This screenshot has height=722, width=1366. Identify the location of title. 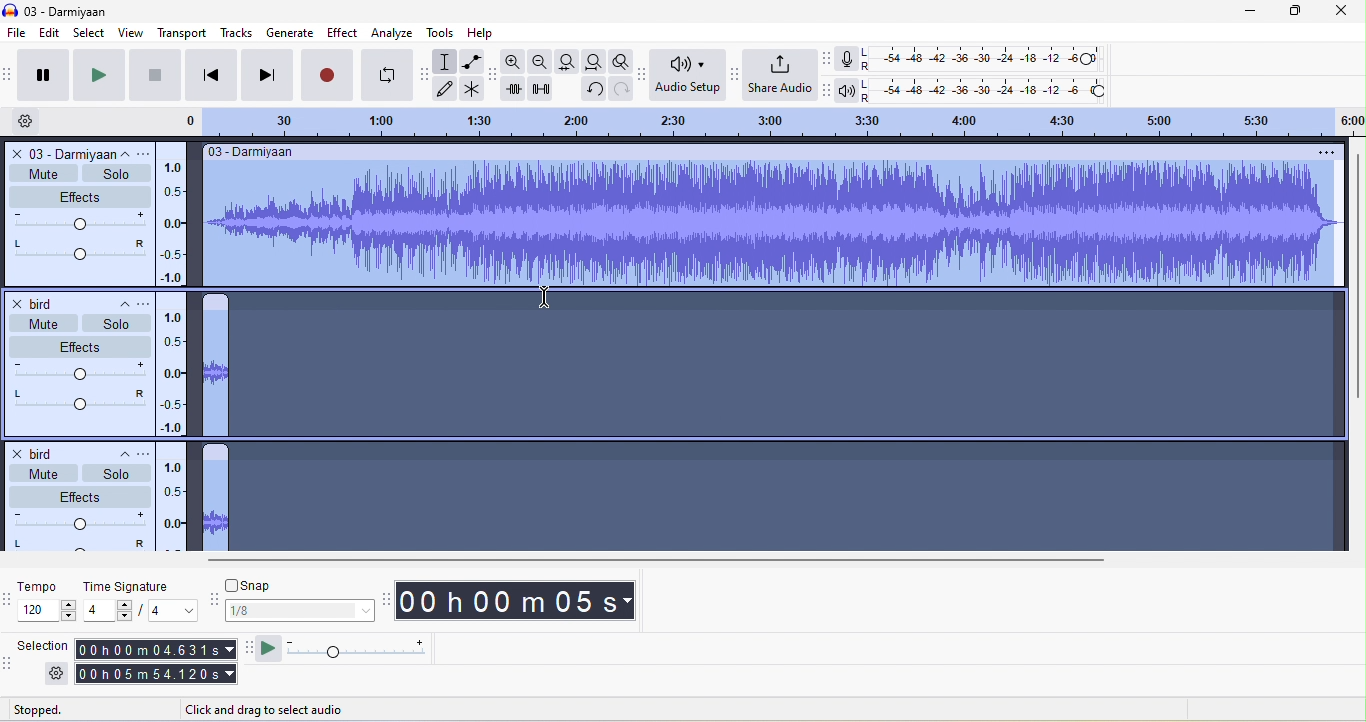
(65, 10).